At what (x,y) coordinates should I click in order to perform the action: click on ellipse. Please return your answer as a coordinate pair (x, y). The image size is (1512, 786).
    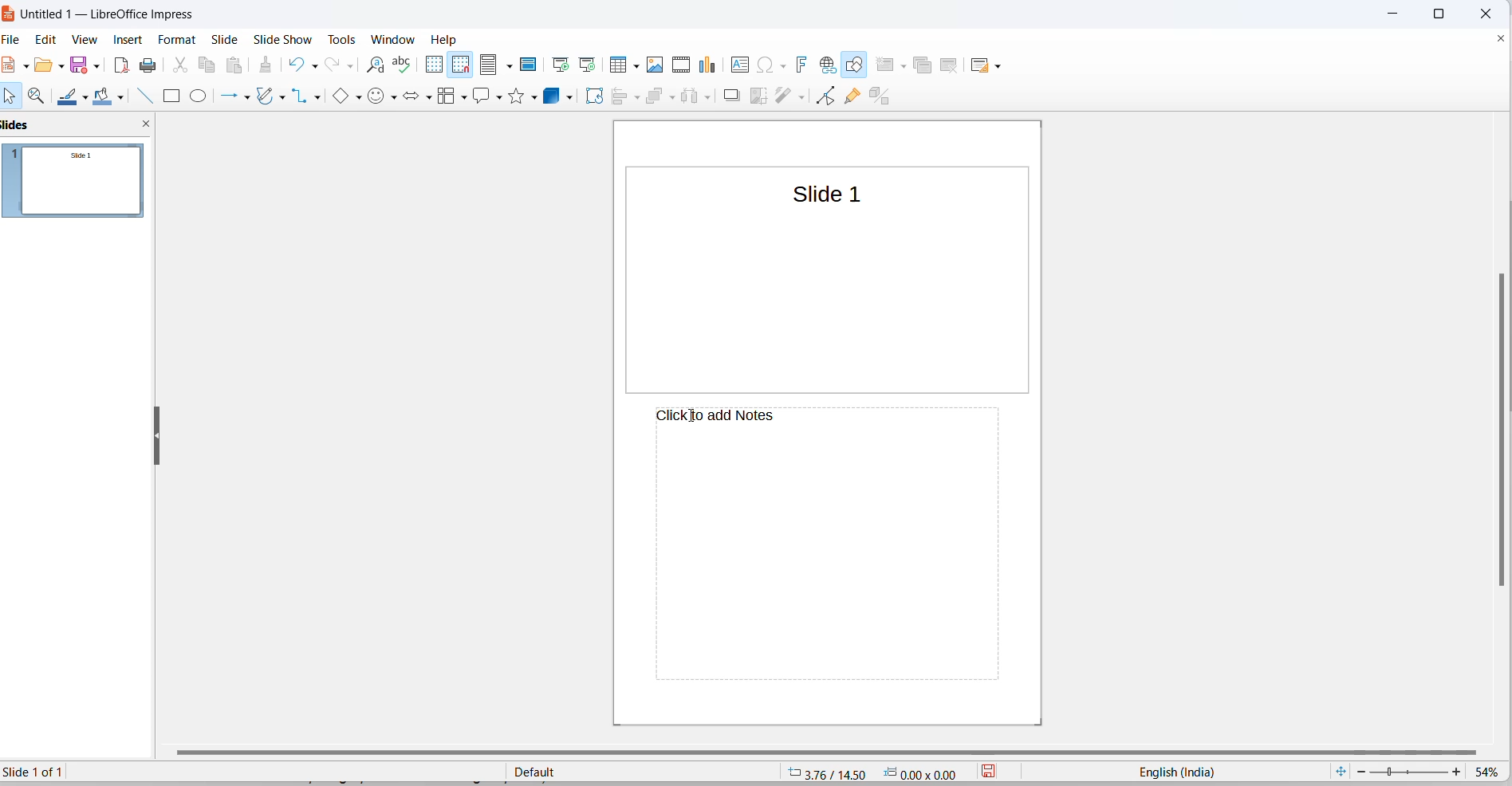
    Looking at the image, I should click on (199, 96).